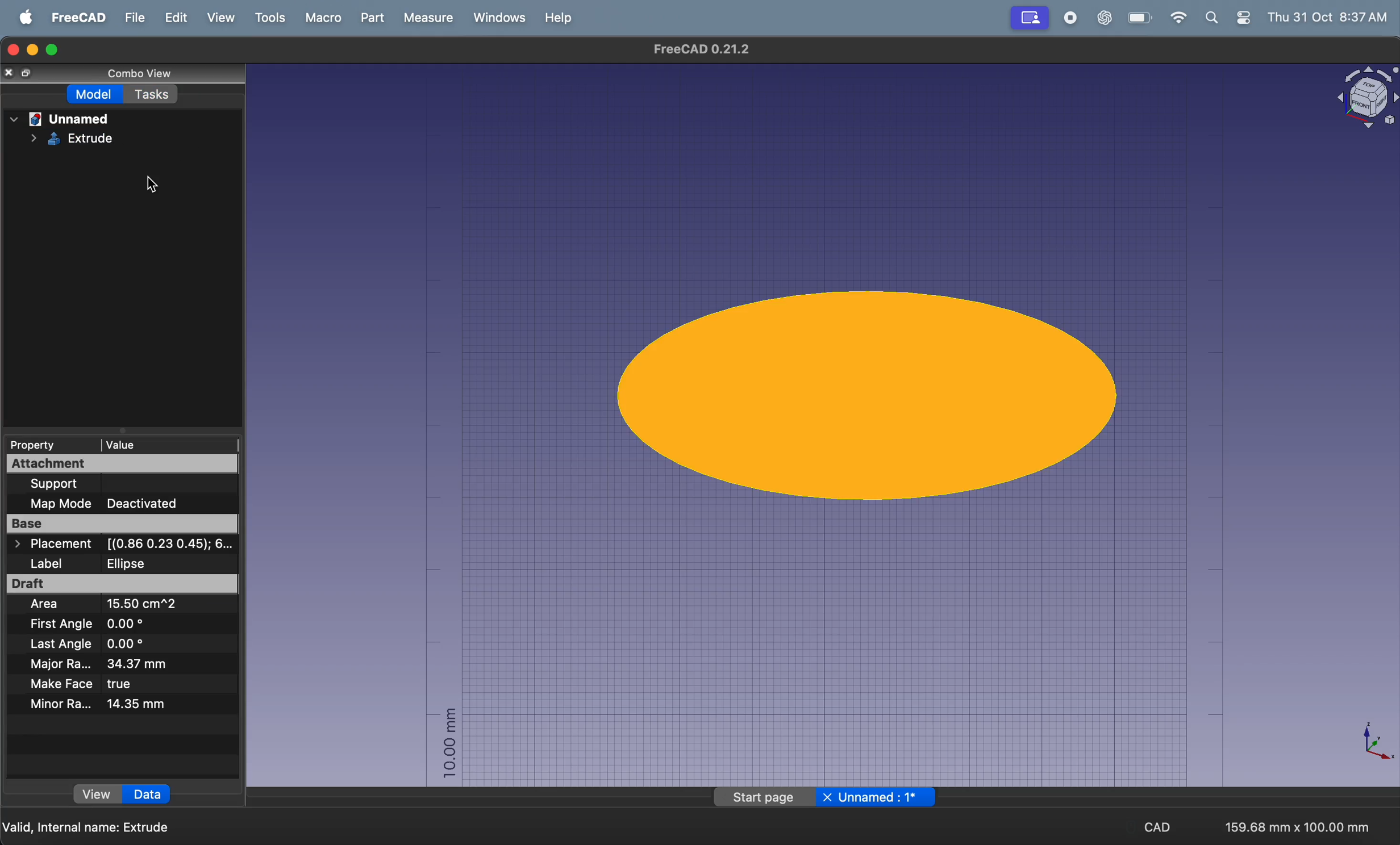 Image resolution: width=1400 pixels, height=845 pixels. Describe the element at coordinates (56, 49) in the screenshot. I see `maximize` at that location.